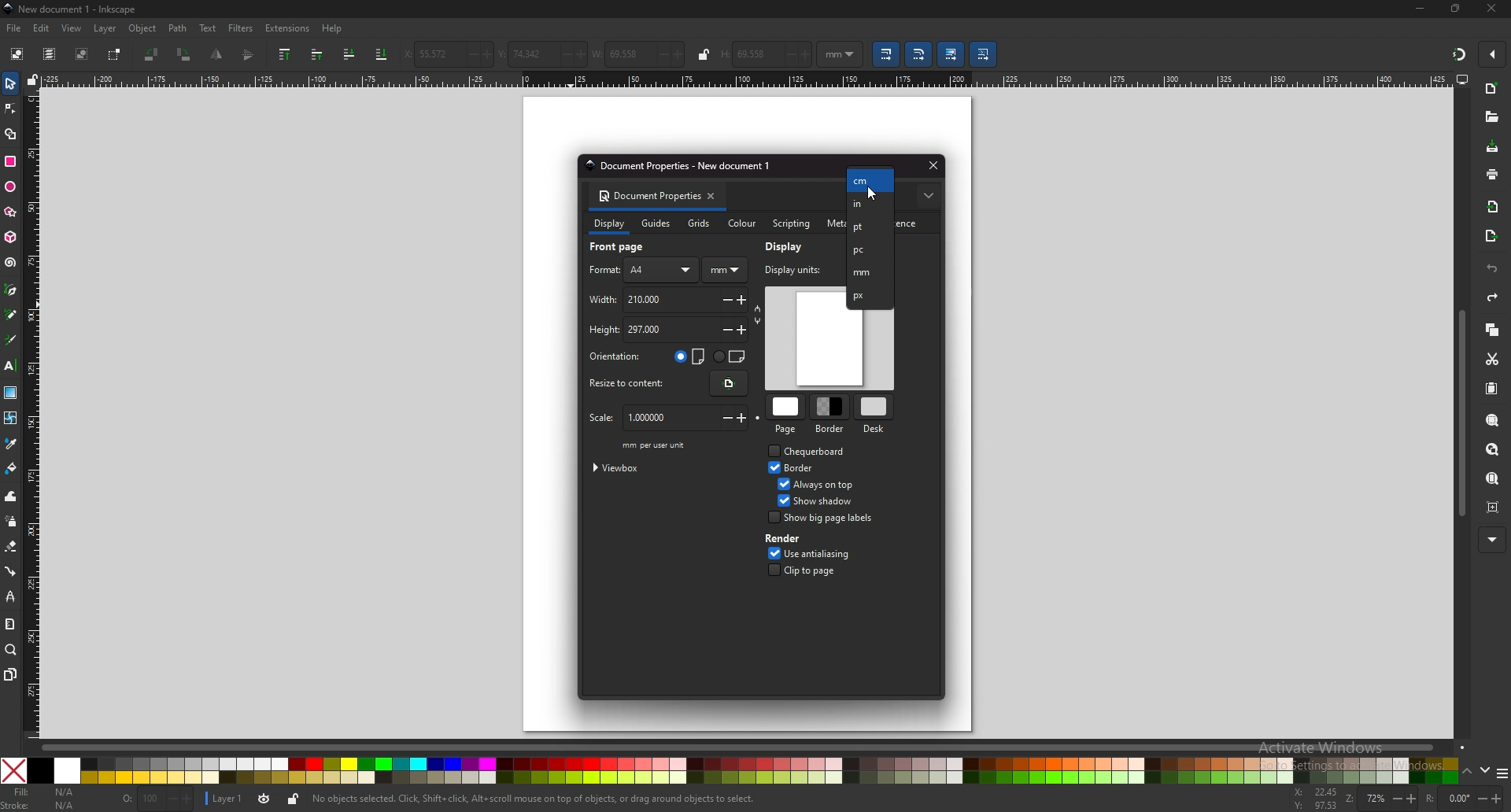 The height and width of the screenshot is (812, 1511). What do you see at coordinates (741, 224) in the screenshot?
I see `colour` at bounding box center [741, 224].